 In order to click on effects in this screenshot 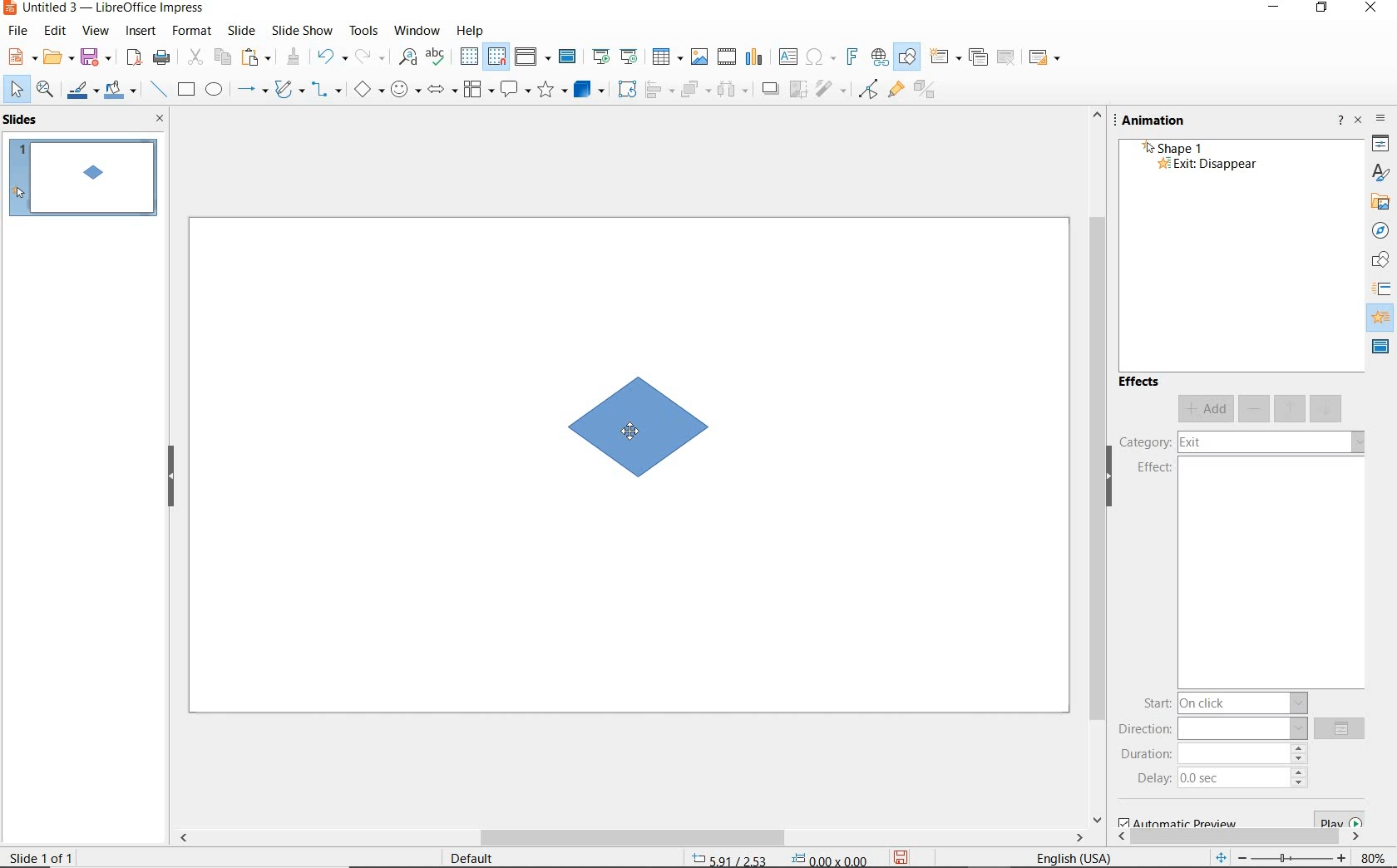, I will do `click(1141, 381)`.